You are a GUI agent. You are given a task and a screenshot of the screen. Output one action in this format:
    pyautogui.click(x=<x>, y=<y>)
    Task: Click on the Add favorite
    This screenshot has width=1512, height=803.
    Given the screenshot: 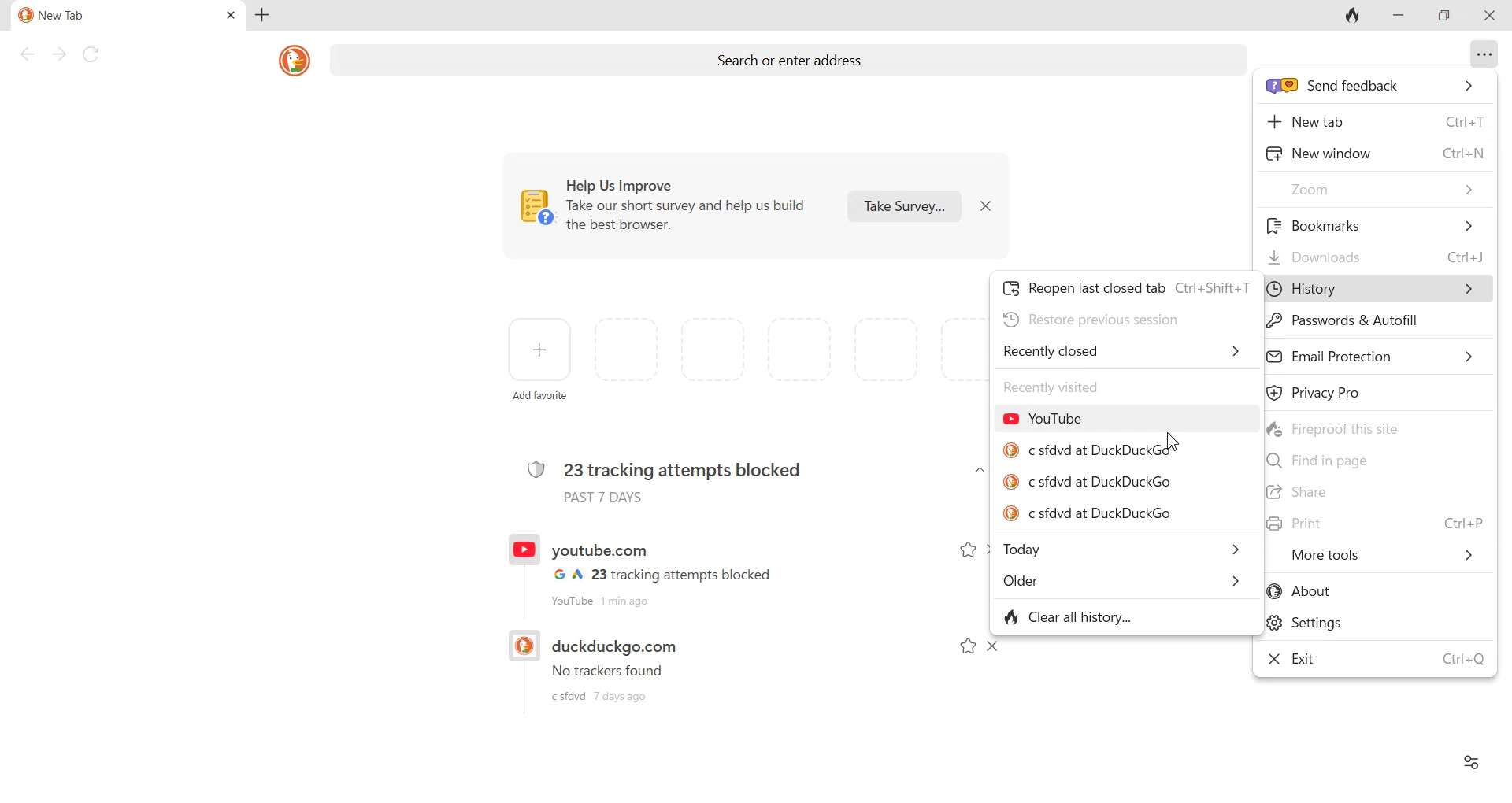 What is the action you would take?
    pyautogui.click(x=541, y=349)
    